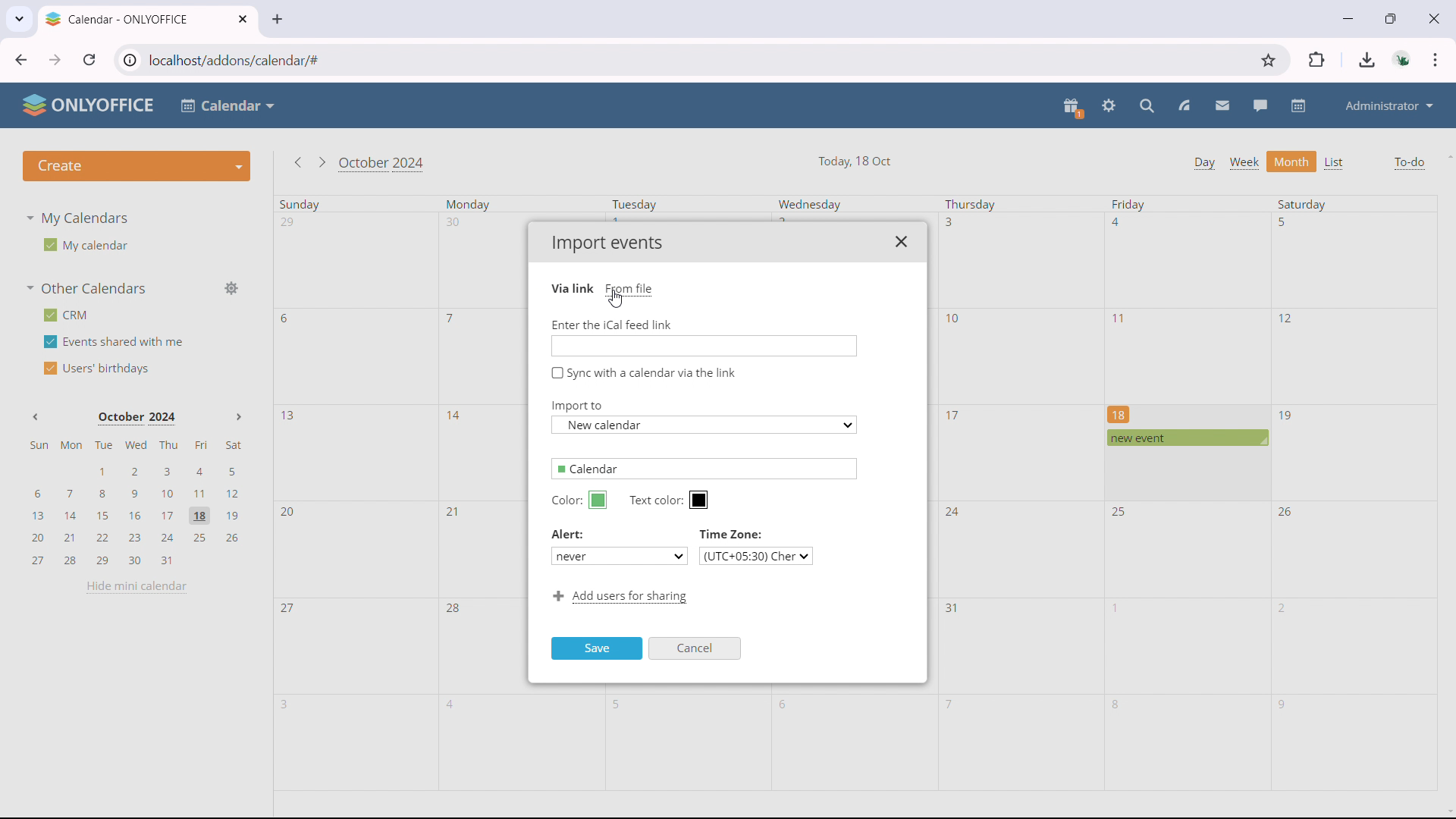 The image size is (1456, 819). I want to click on 18, so click(1119, 413).